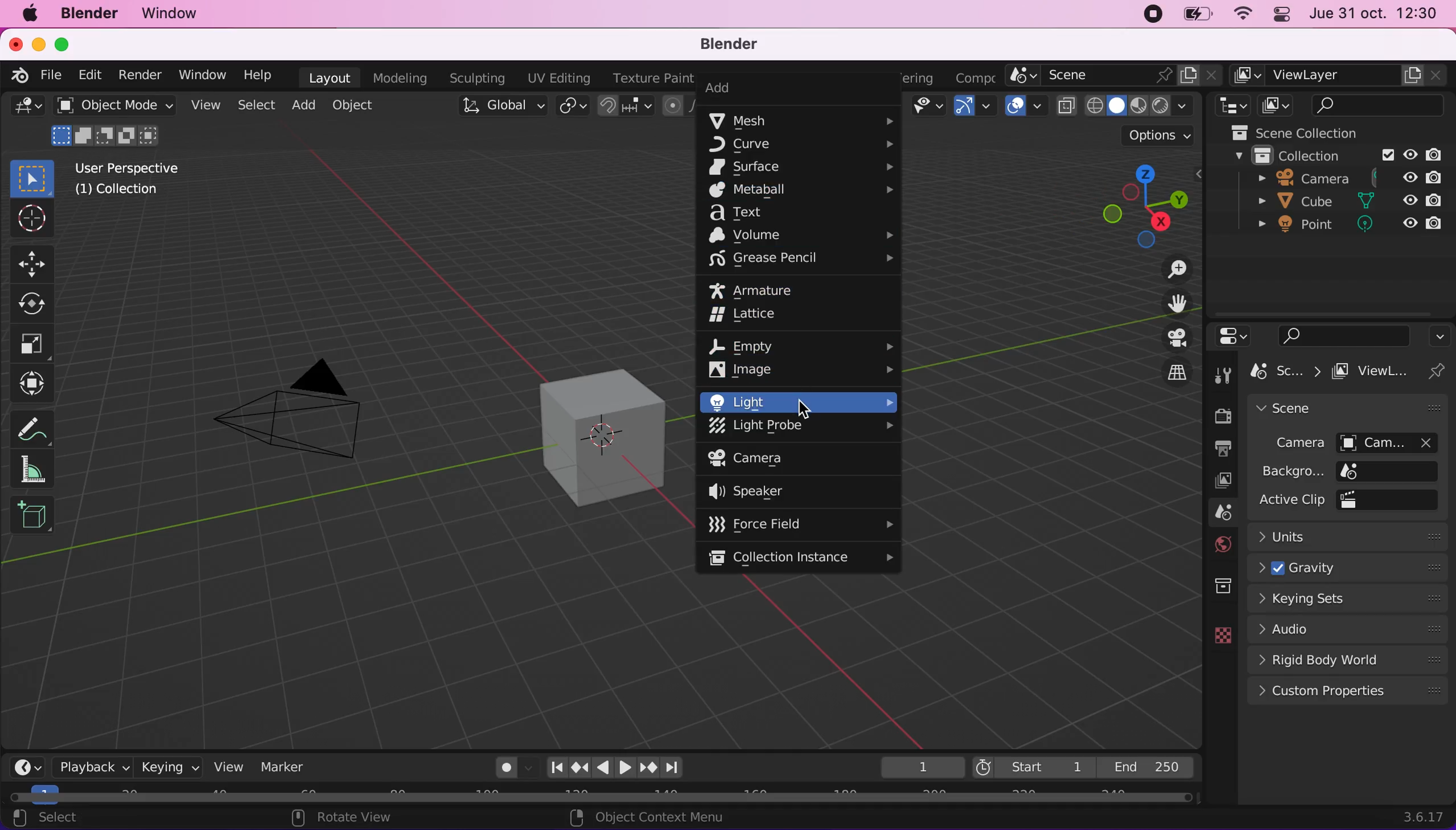 This screenshot has height=830, width=1456. I want to click on transform pivot points, so click(570, 107).